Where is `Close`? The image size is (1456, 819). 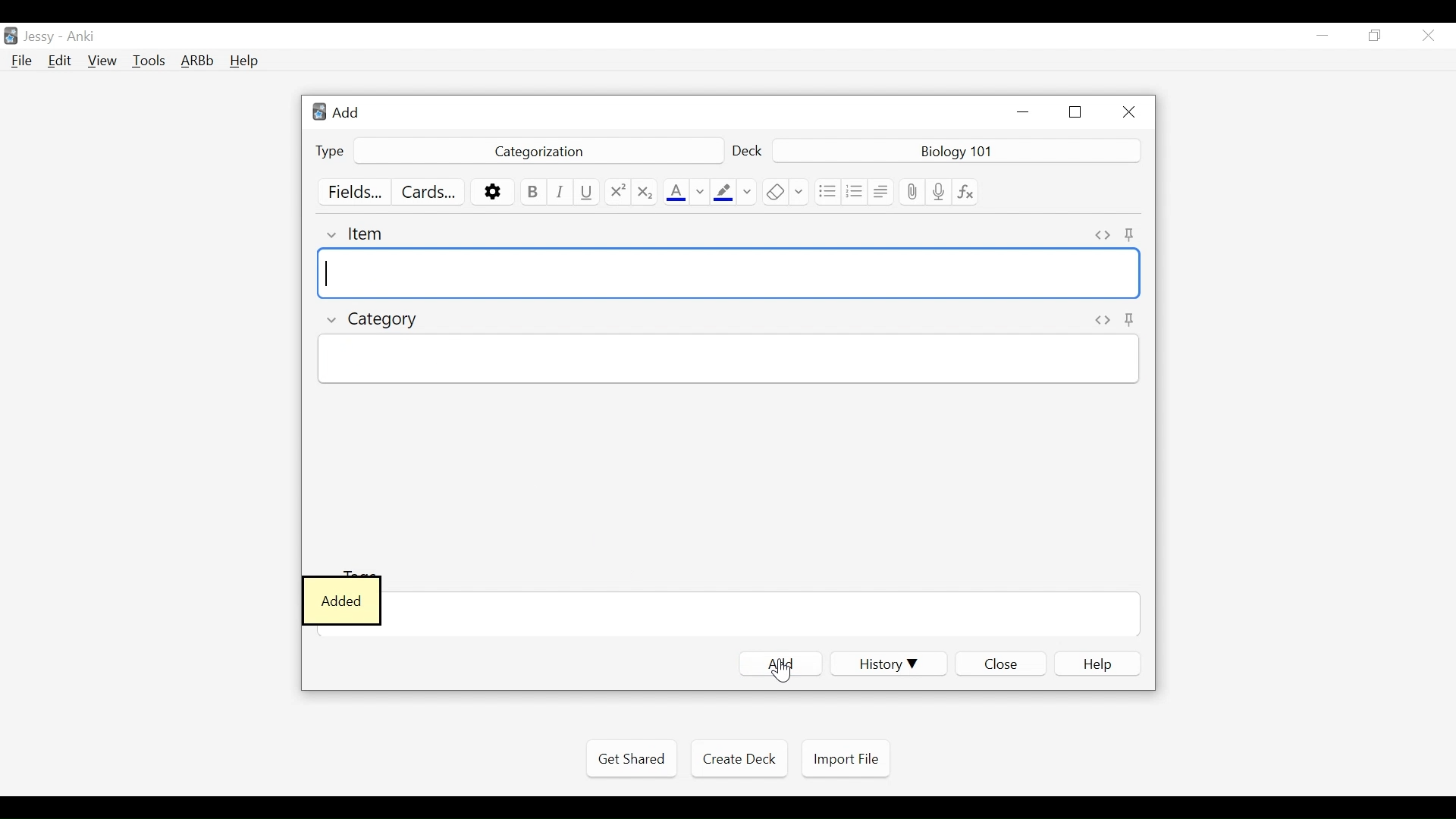 Close is located at coordinates (1428, 36).